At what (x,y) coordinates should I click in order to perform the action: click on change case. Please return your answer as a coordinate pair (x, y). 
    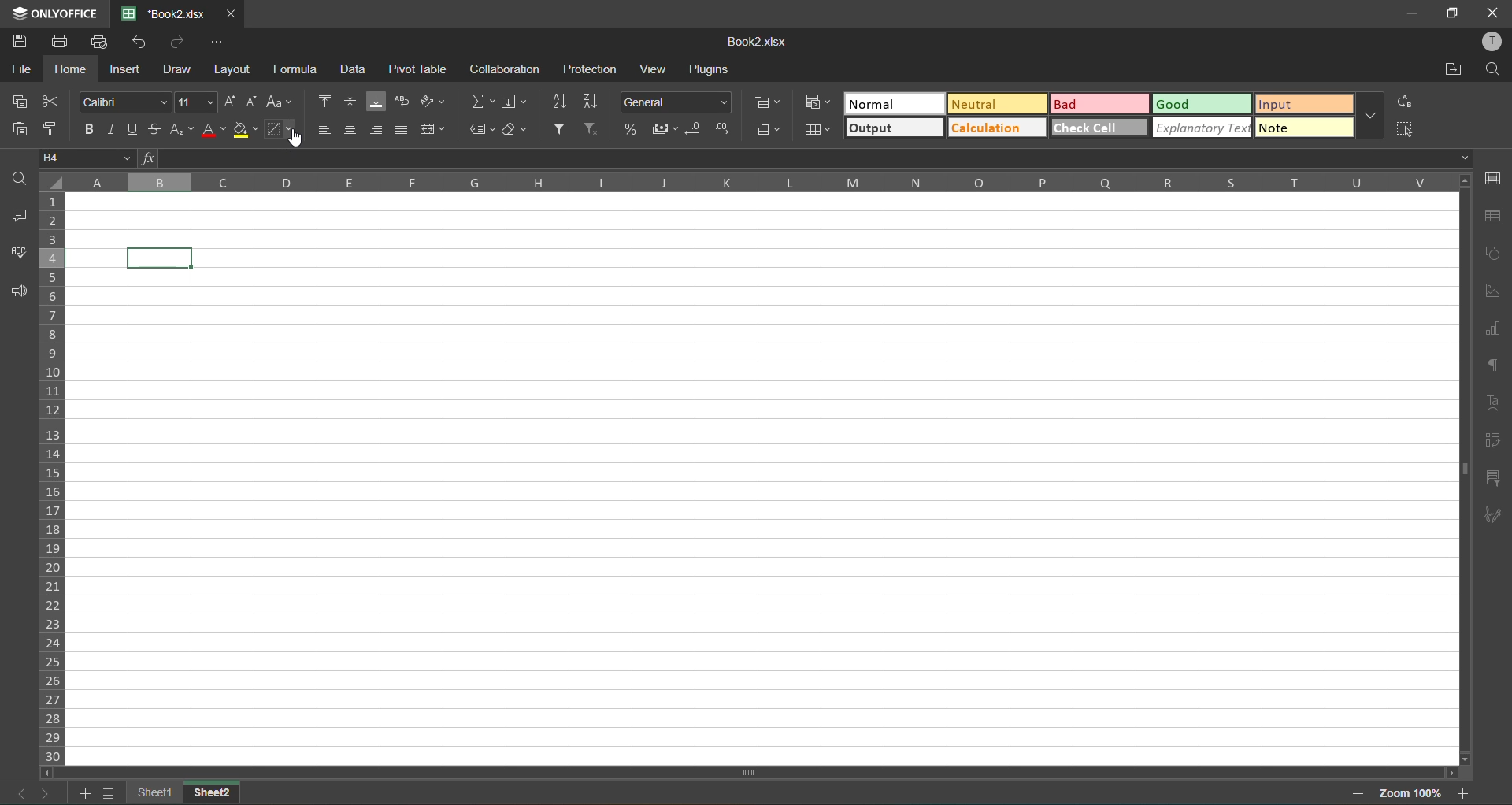
    Looking at the image, I should click on (279, 103).